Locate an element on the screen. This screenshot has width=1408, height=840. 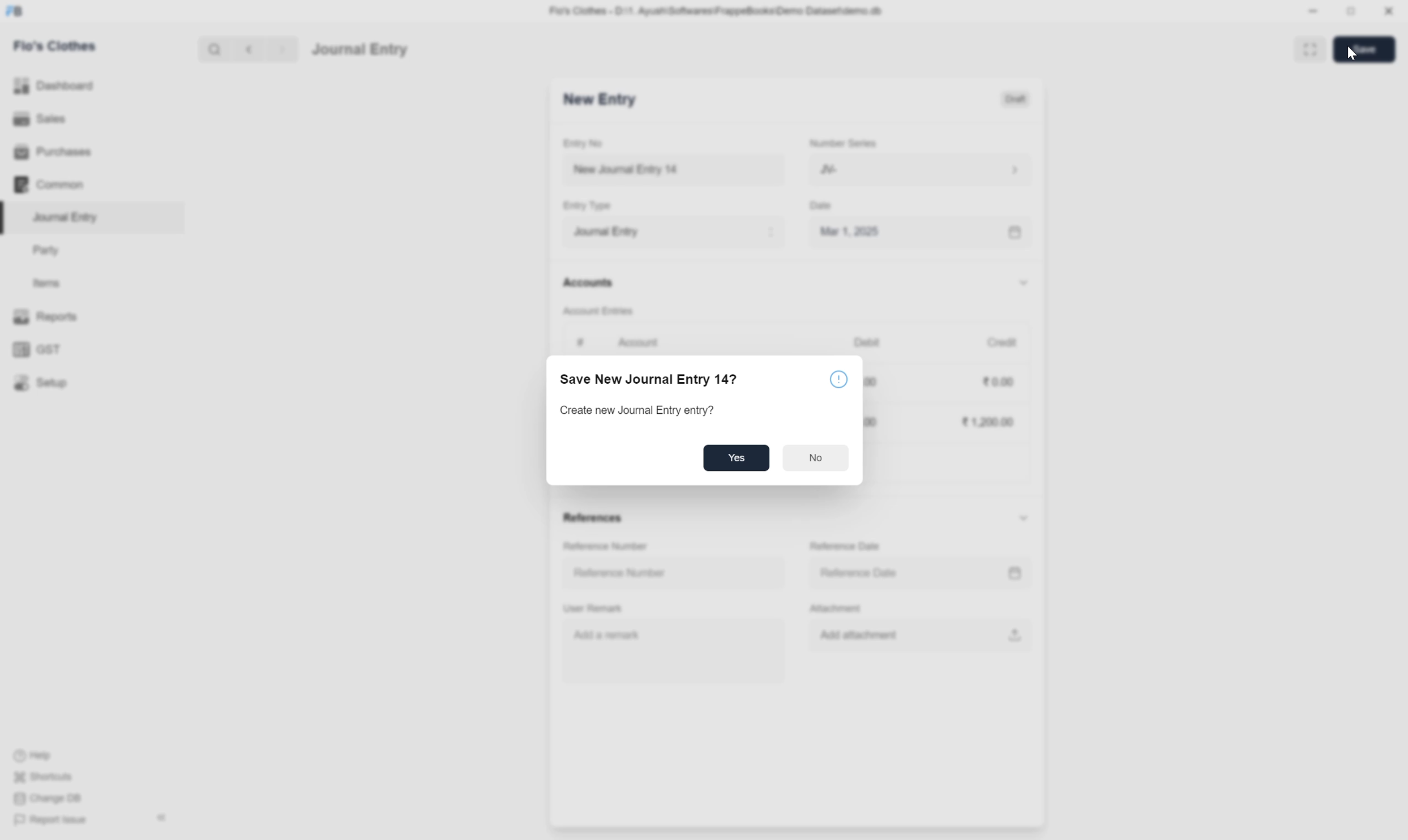
Flo's Clothes is located at coordinates (57, 46).